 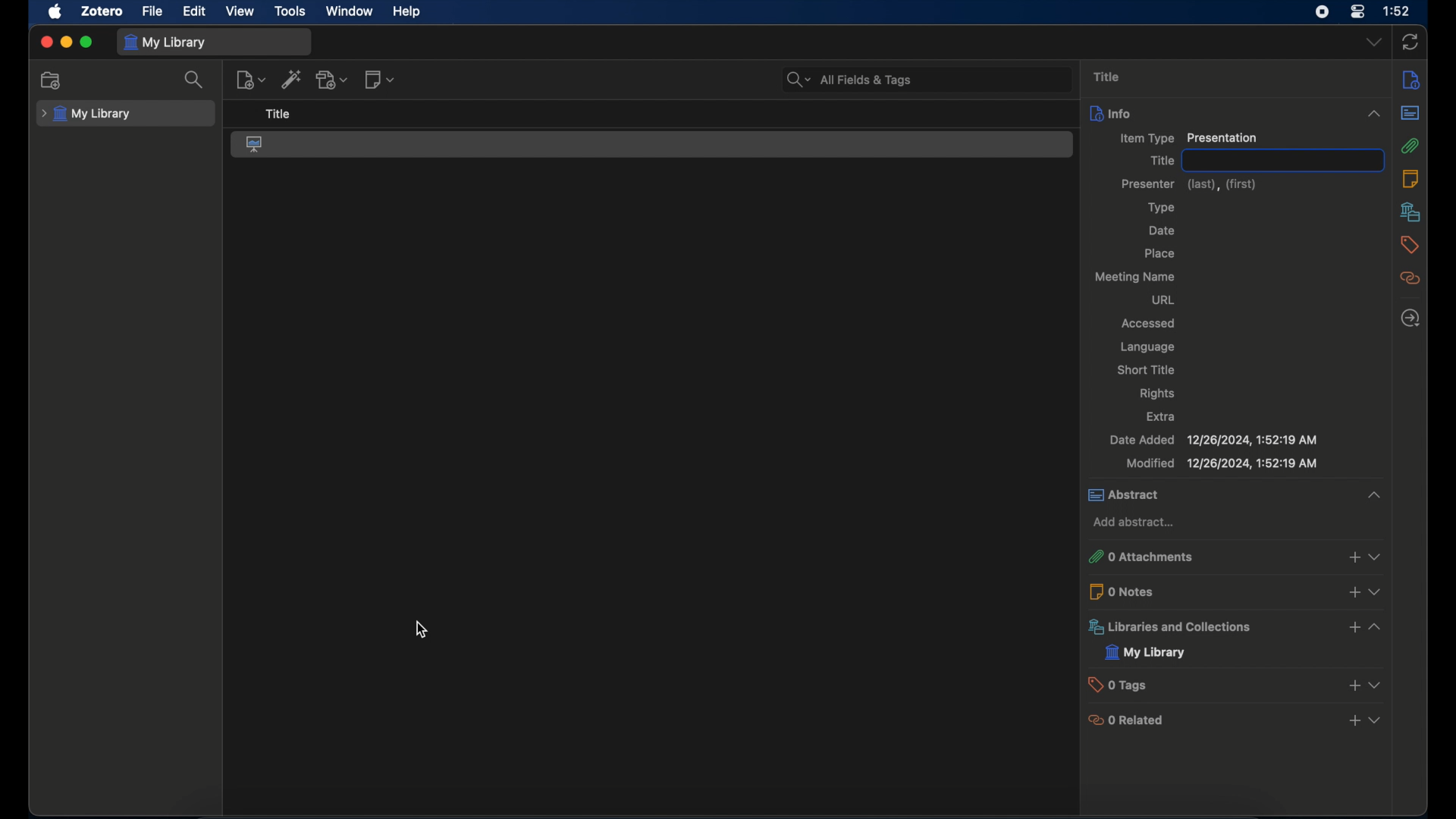 What do you see at coordinates (1163, 231) in the screenshot?
I see `date` at bounding box center [1163, 231].